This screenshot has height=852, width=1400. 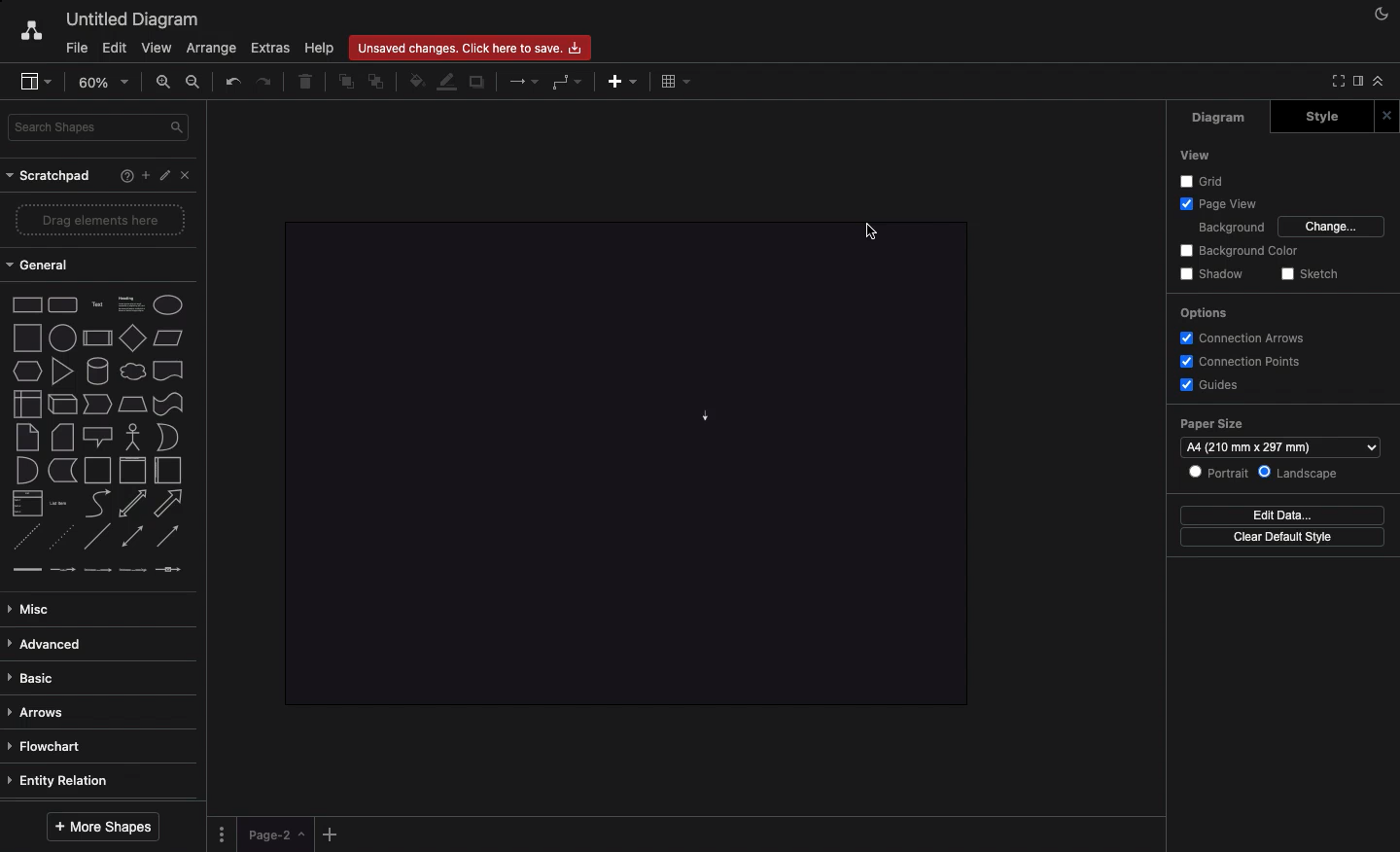 What do you see at coordinates (232, 82) in the screenshot?
I see `Undo` at bounding box center [232, 82].